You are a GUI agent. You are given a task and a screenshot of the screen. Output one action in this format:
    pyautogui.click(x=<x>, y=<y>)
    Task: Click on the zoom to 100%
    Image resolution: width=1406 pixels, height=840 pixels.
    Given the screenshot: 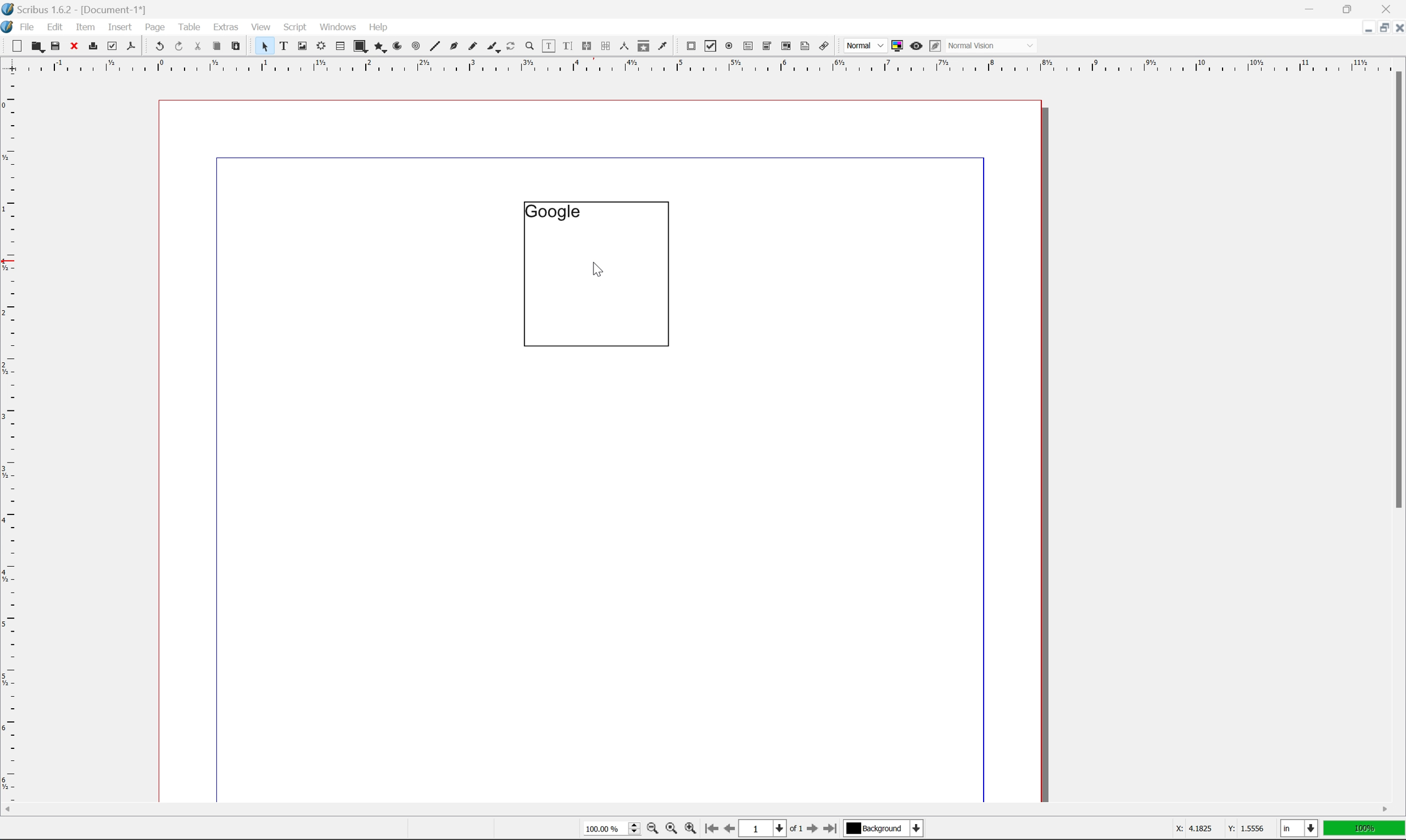 What is the action you would take?
    pyautogui.click(x=670, y=830)
    